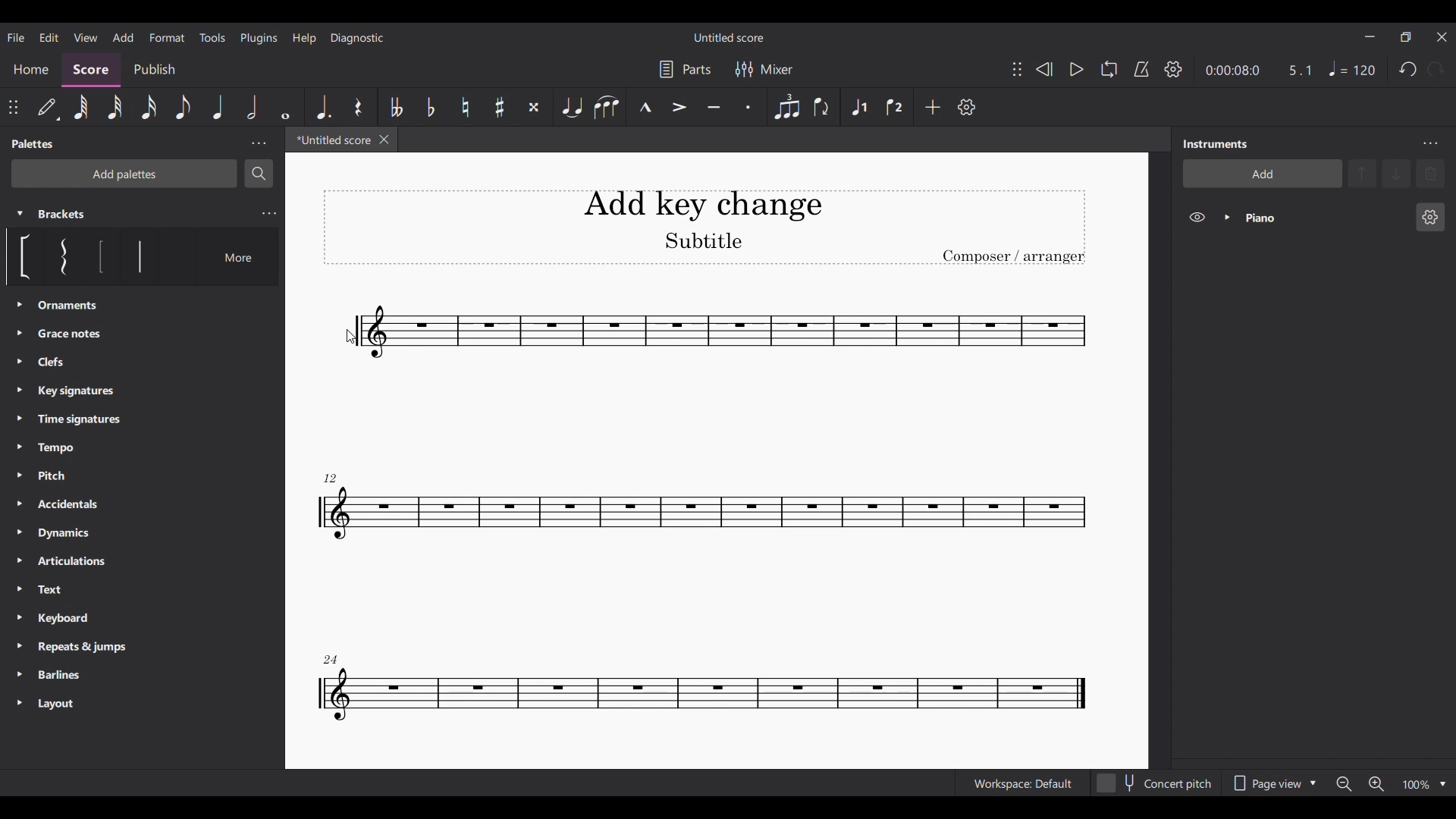 This screenshot has width=1456, height=819. What do you see at coordinates (220, 108) in the screenshot?
I see `Quarter note` at bounding box center [220, 108].